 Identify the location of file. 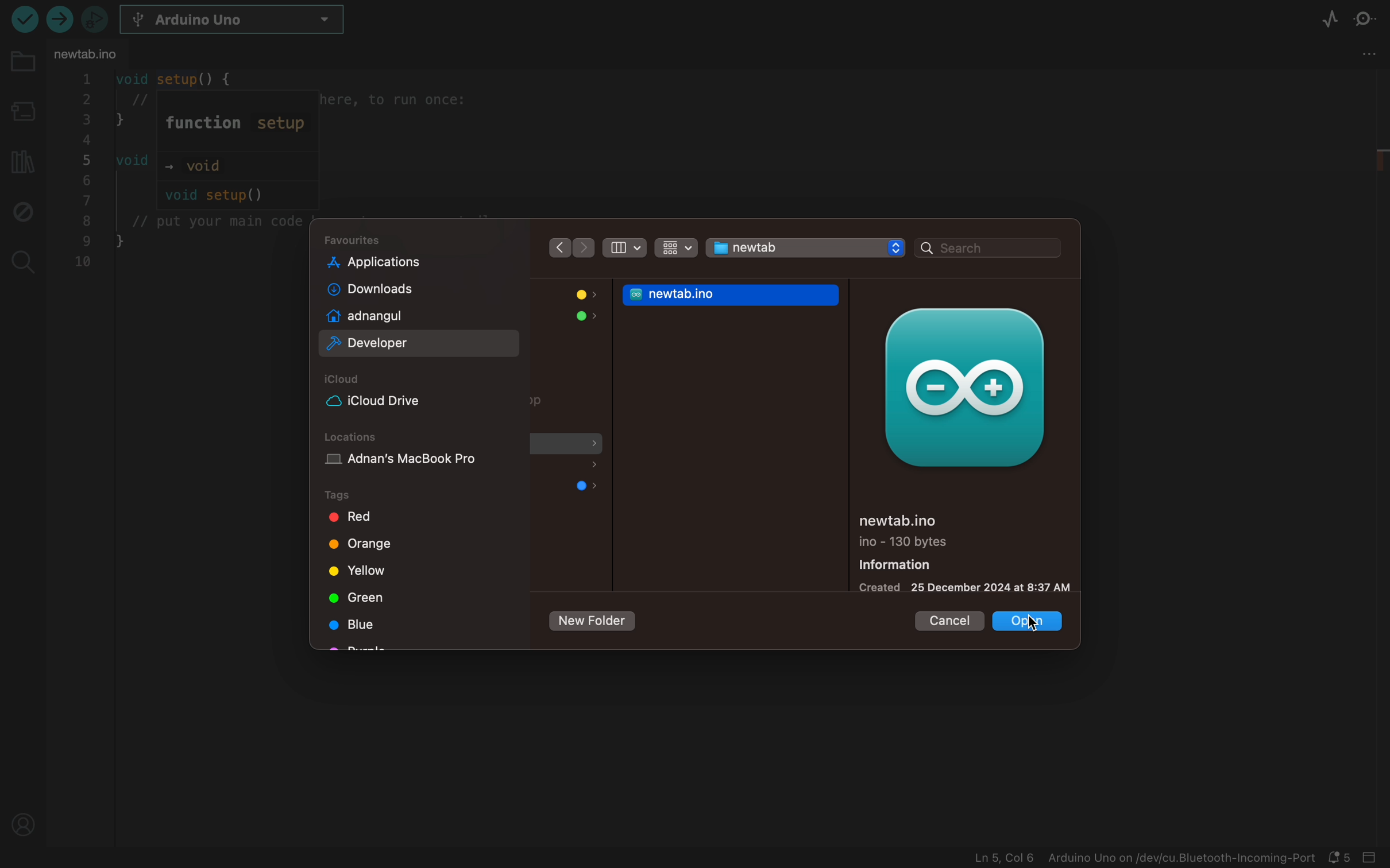
(569, 447).